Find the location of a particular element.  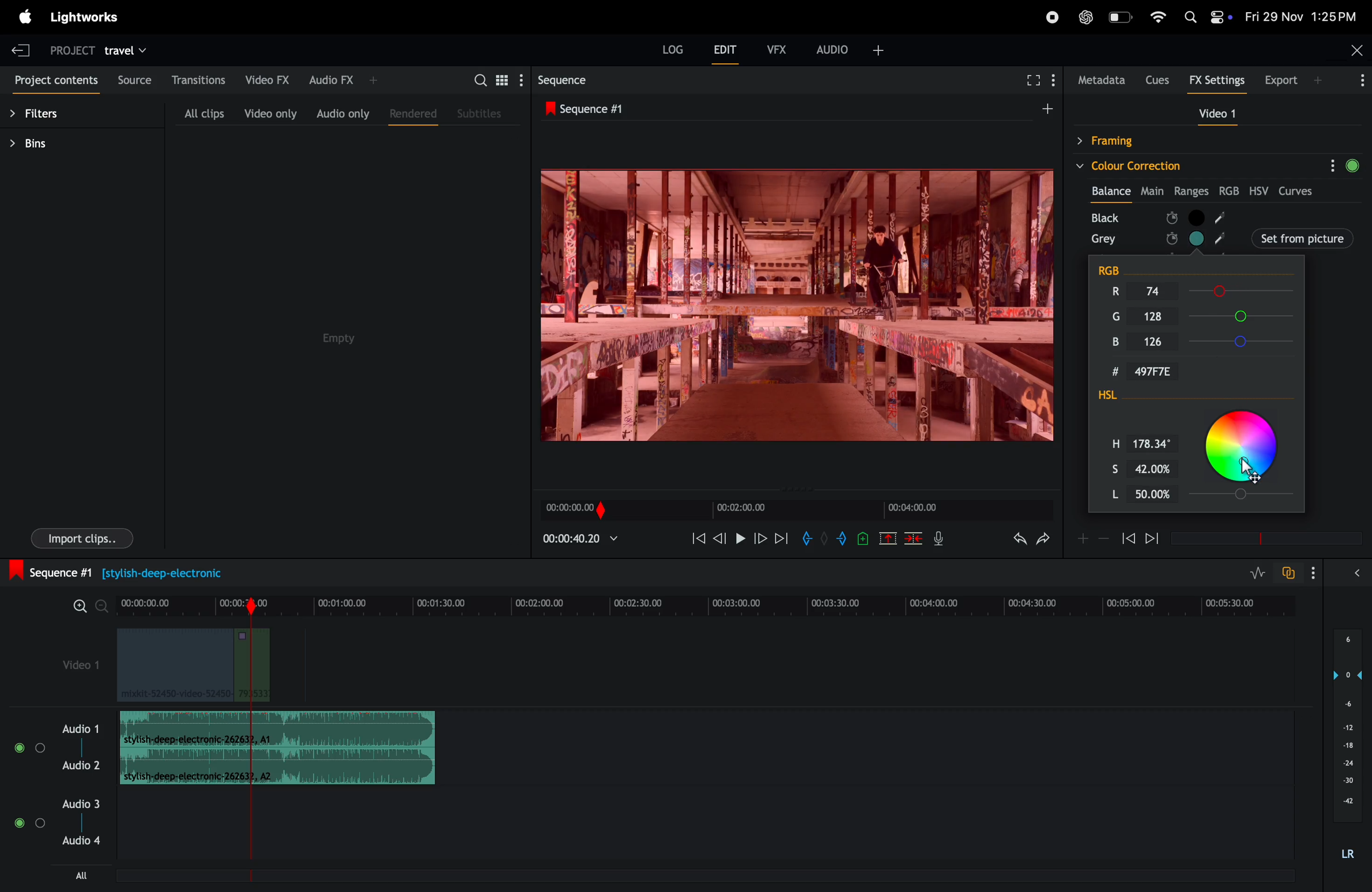

Main is located at coordinates (1154, 189).